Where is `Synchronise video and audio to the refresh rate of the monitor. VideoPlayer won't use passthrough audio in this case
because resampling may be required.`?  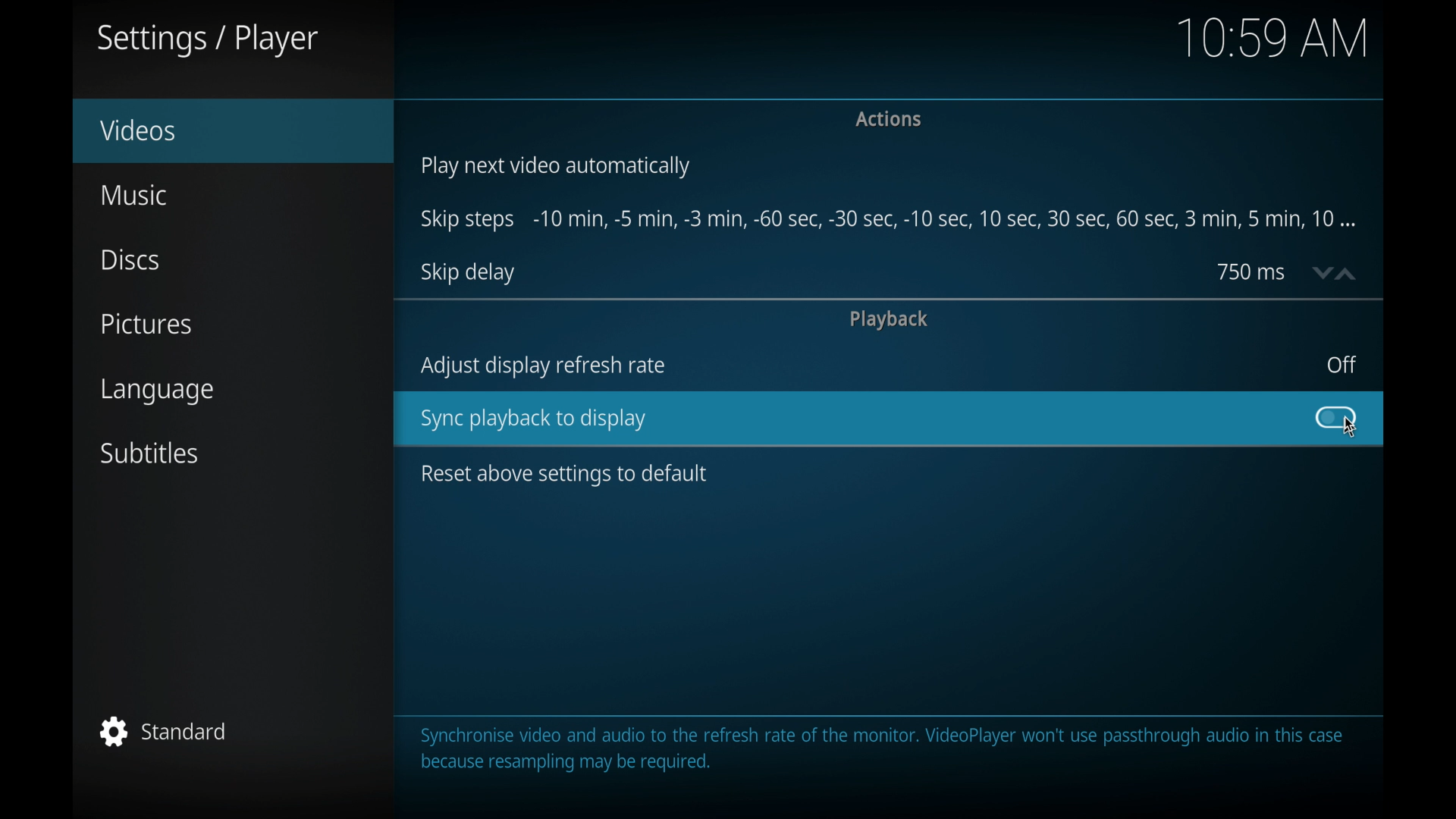
Synchronise video and audio to the refresh rate of the monitor. VideoPlayer won't use passthrough audio in this case
because resampling may be required. is located at coordinates (891, 748).